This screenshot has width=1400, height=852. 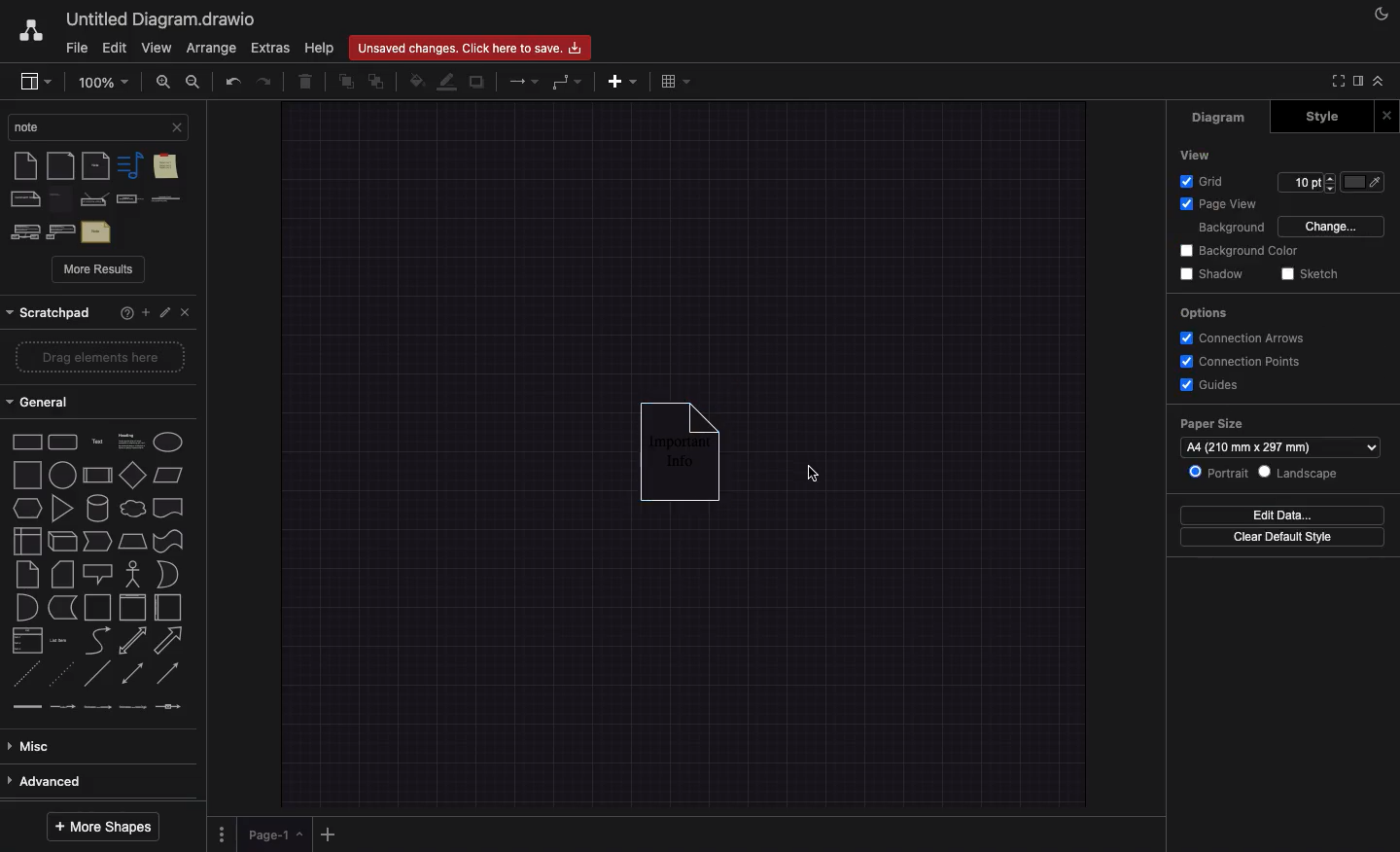 I want to click on Style, so click(x=1327, y=116).